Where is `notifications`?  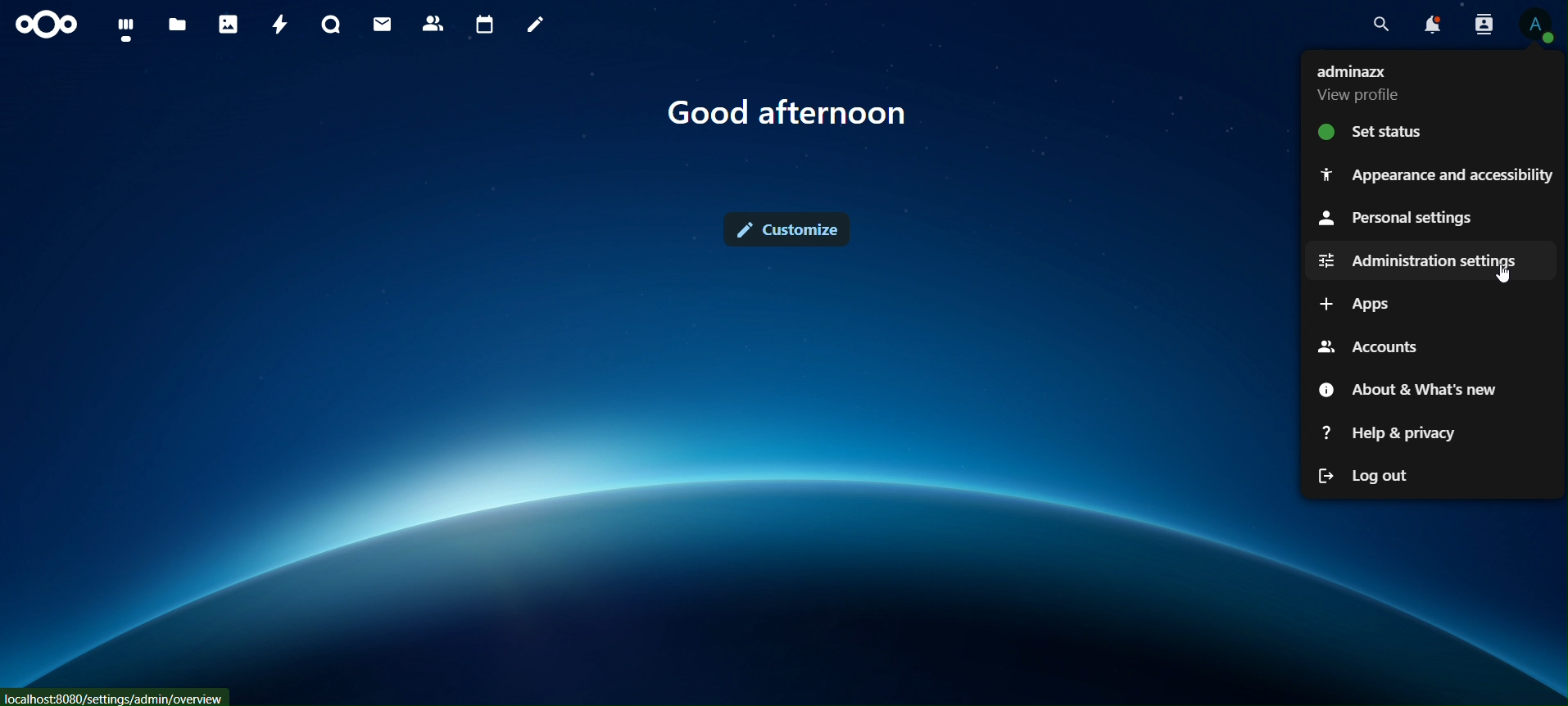 notifications is located at coordinates (1433, 25).